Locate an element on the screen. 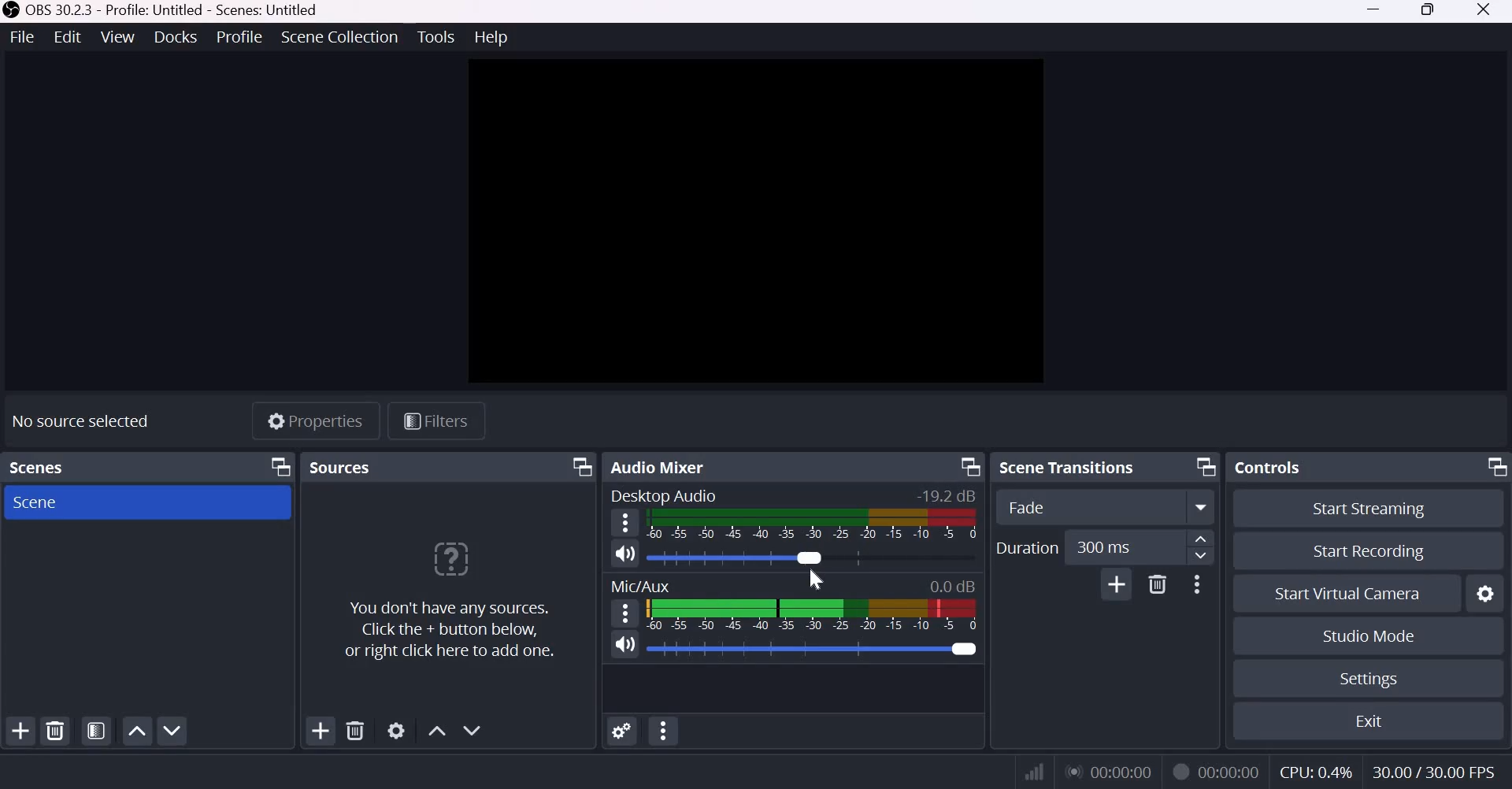  Controls is located at coordinates (1269, 466).